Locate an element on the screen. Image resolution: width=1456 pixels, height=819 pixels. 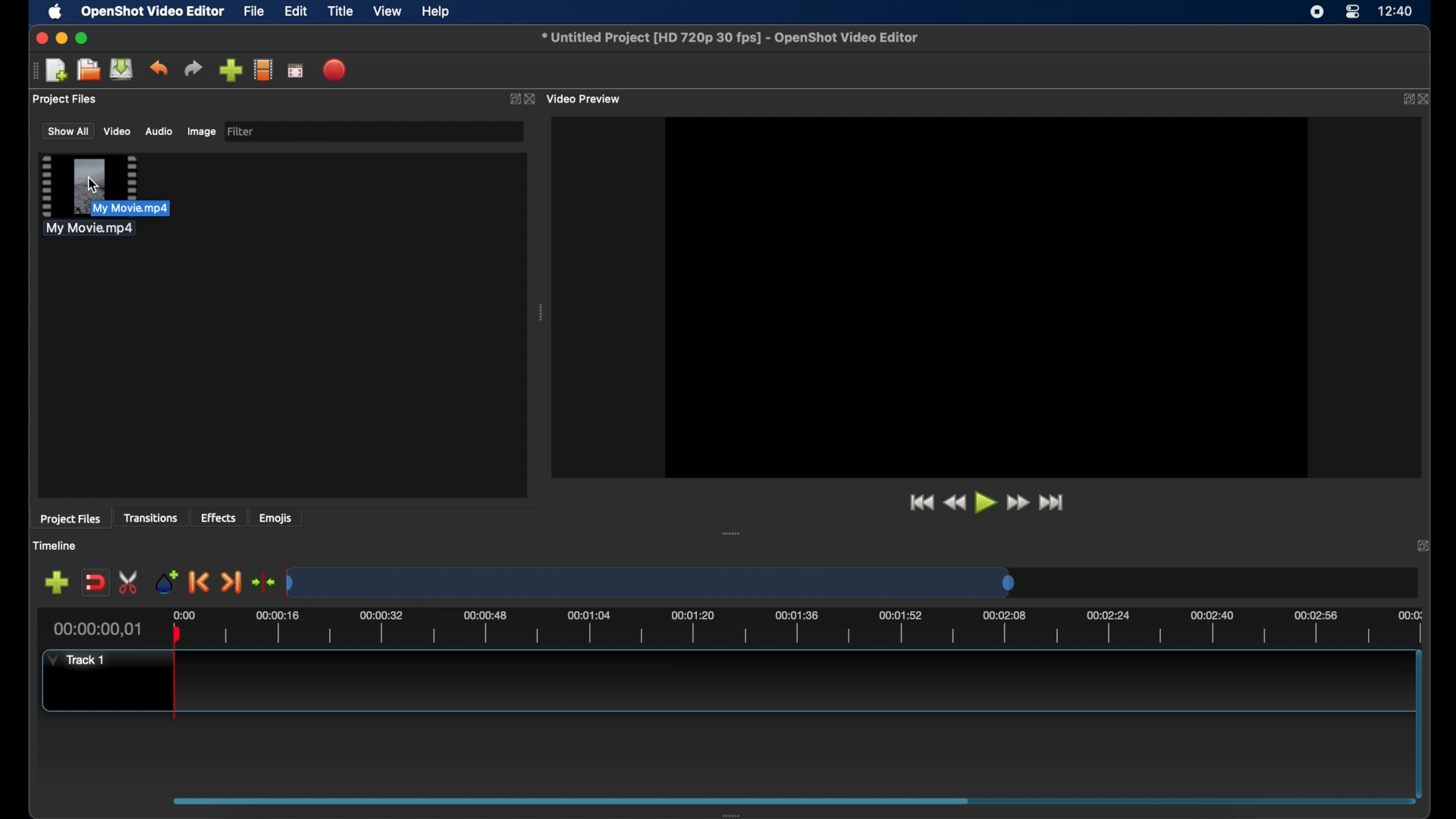
expand is located at coordinates (511, 101).